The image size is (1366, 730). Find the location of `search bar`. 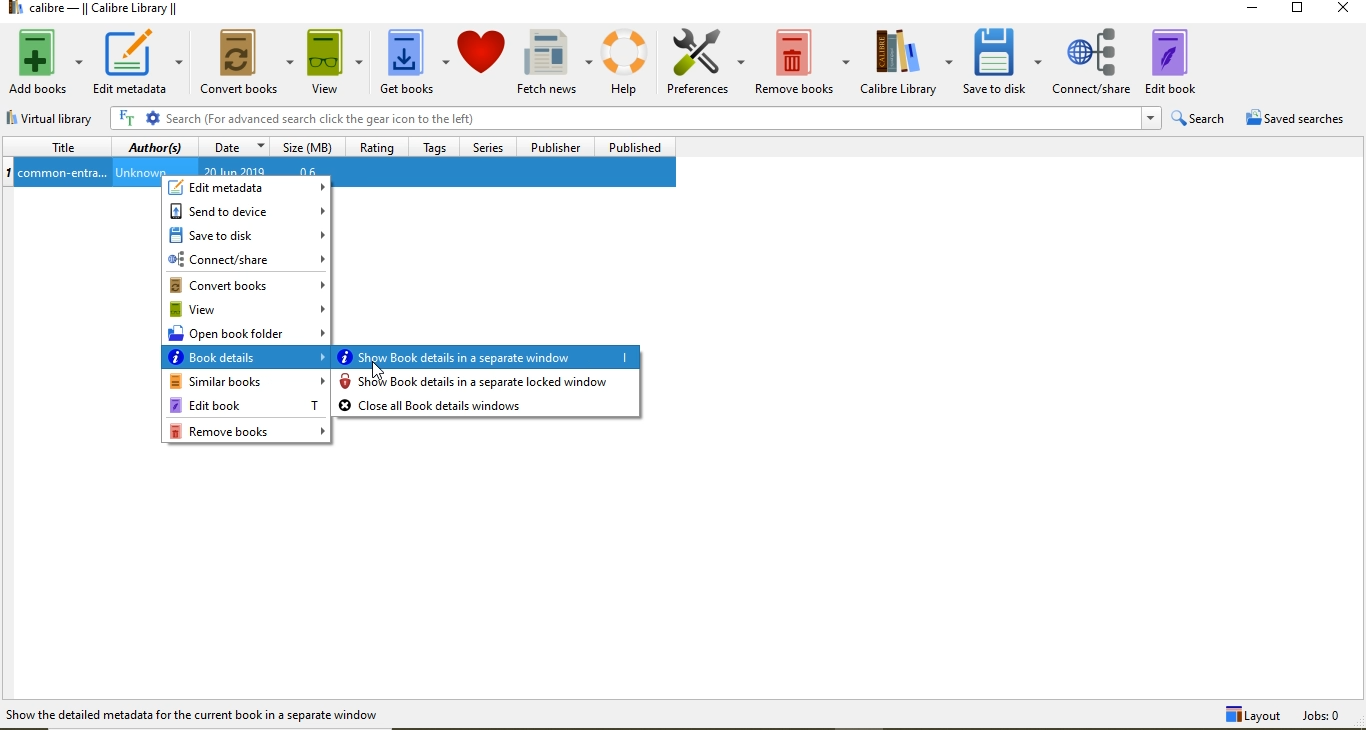

search bar is located at coordinates (624, 119).